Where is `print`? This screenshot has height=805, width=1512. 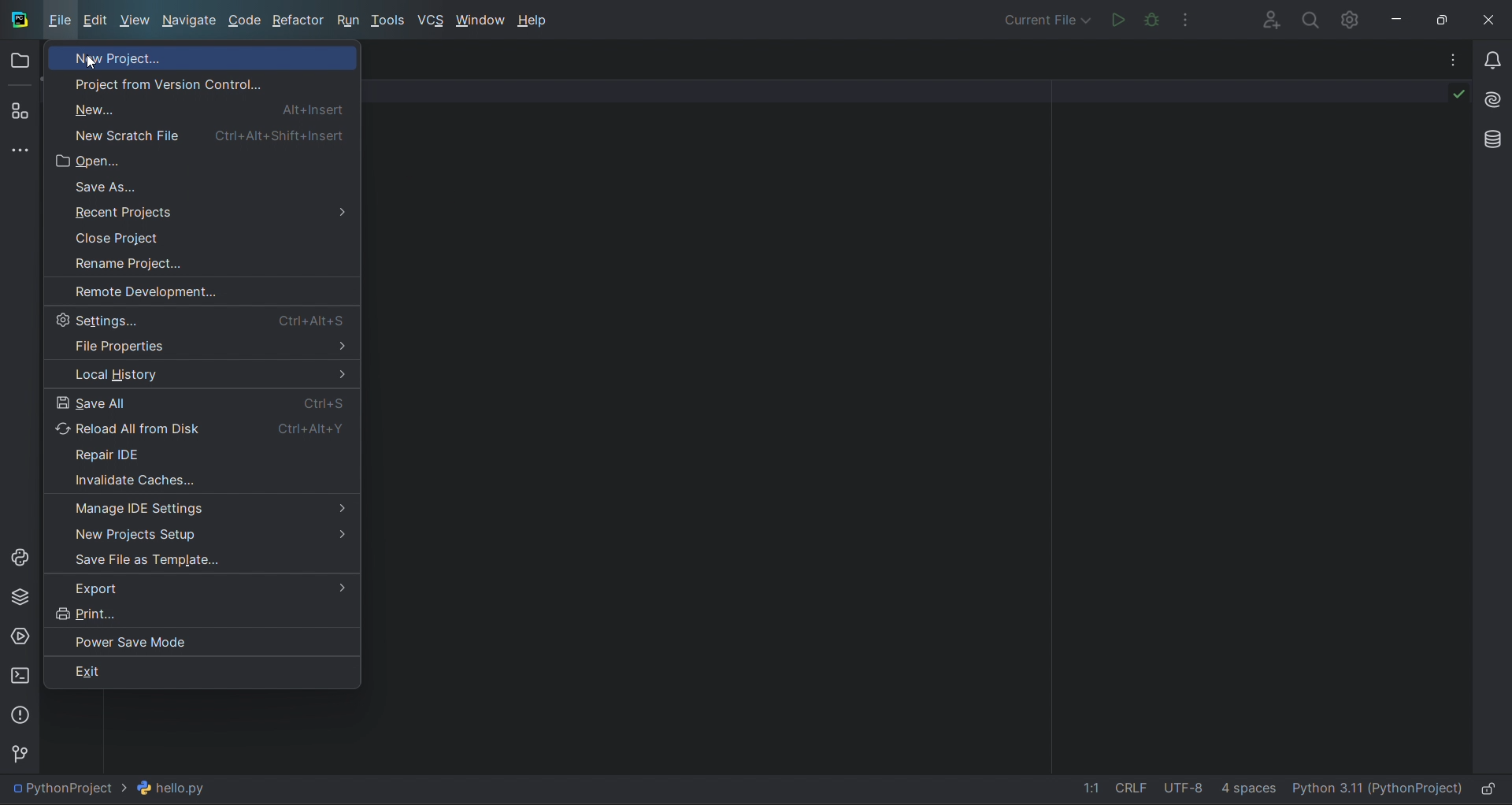 print is located at coordinates (198, 613).